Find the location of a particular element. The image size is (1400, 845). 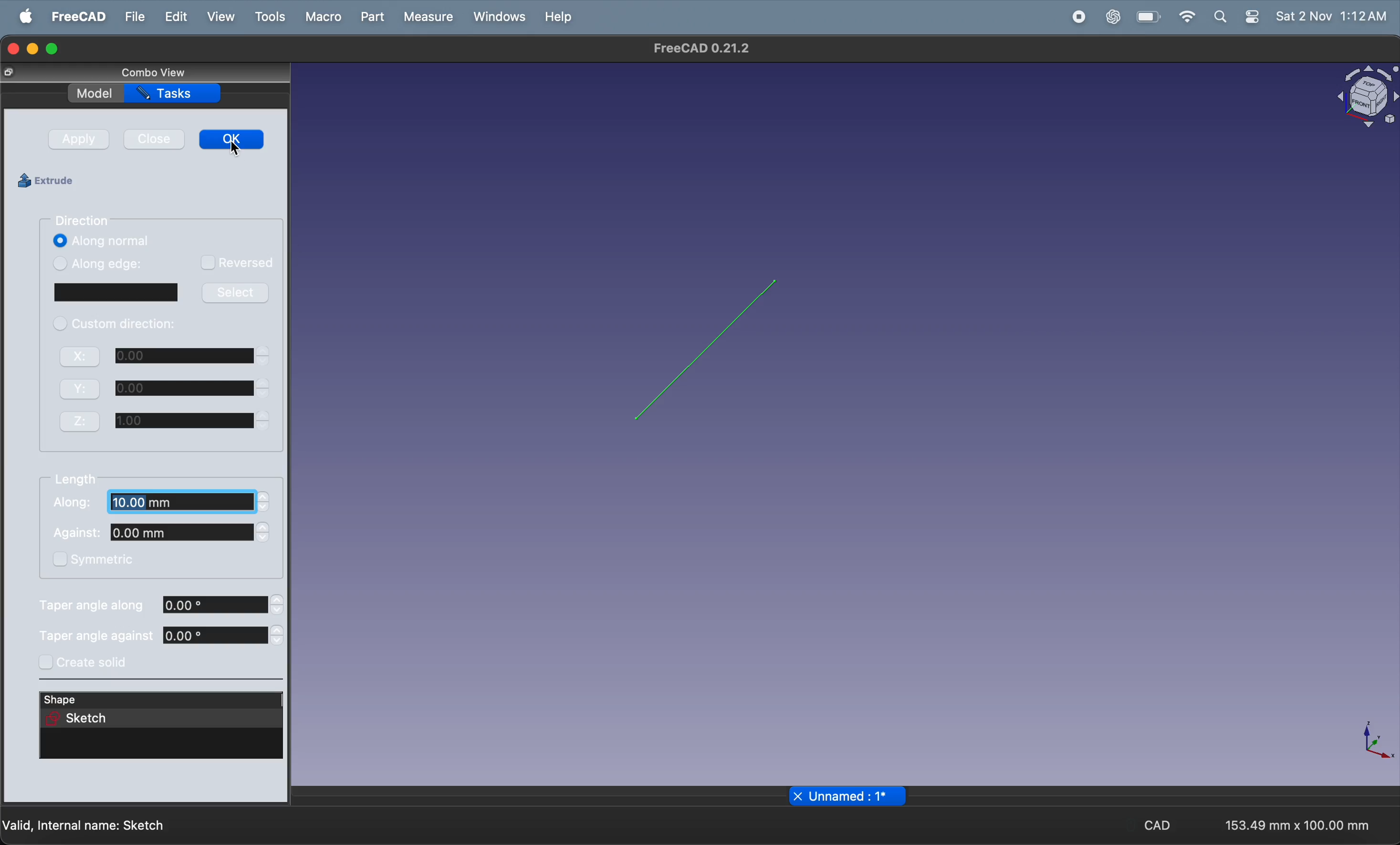

model is located at coordinates (95, 94).